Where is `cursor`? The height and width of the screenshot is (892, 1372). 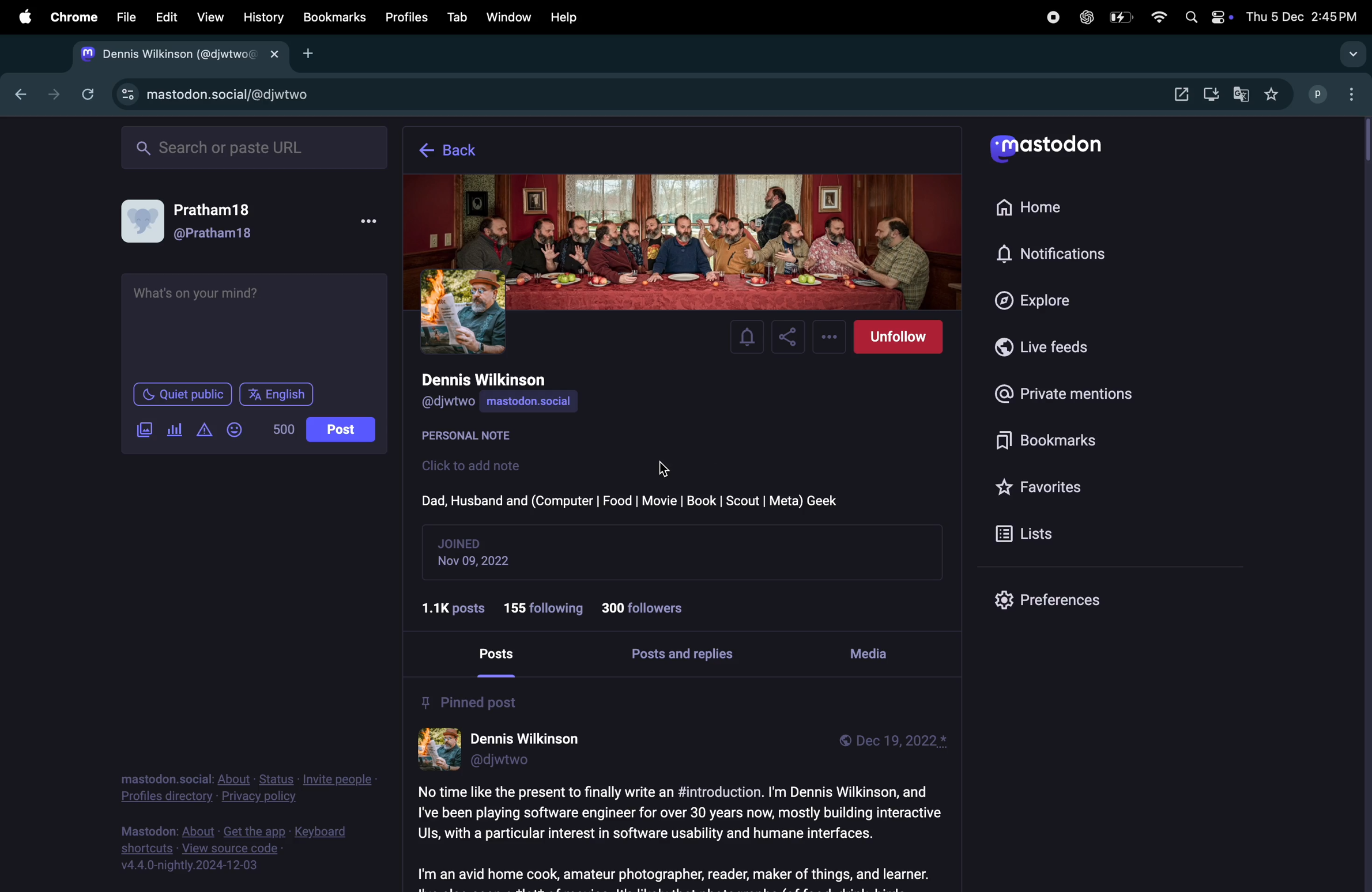 cursor is located at coordinates (668, 466).